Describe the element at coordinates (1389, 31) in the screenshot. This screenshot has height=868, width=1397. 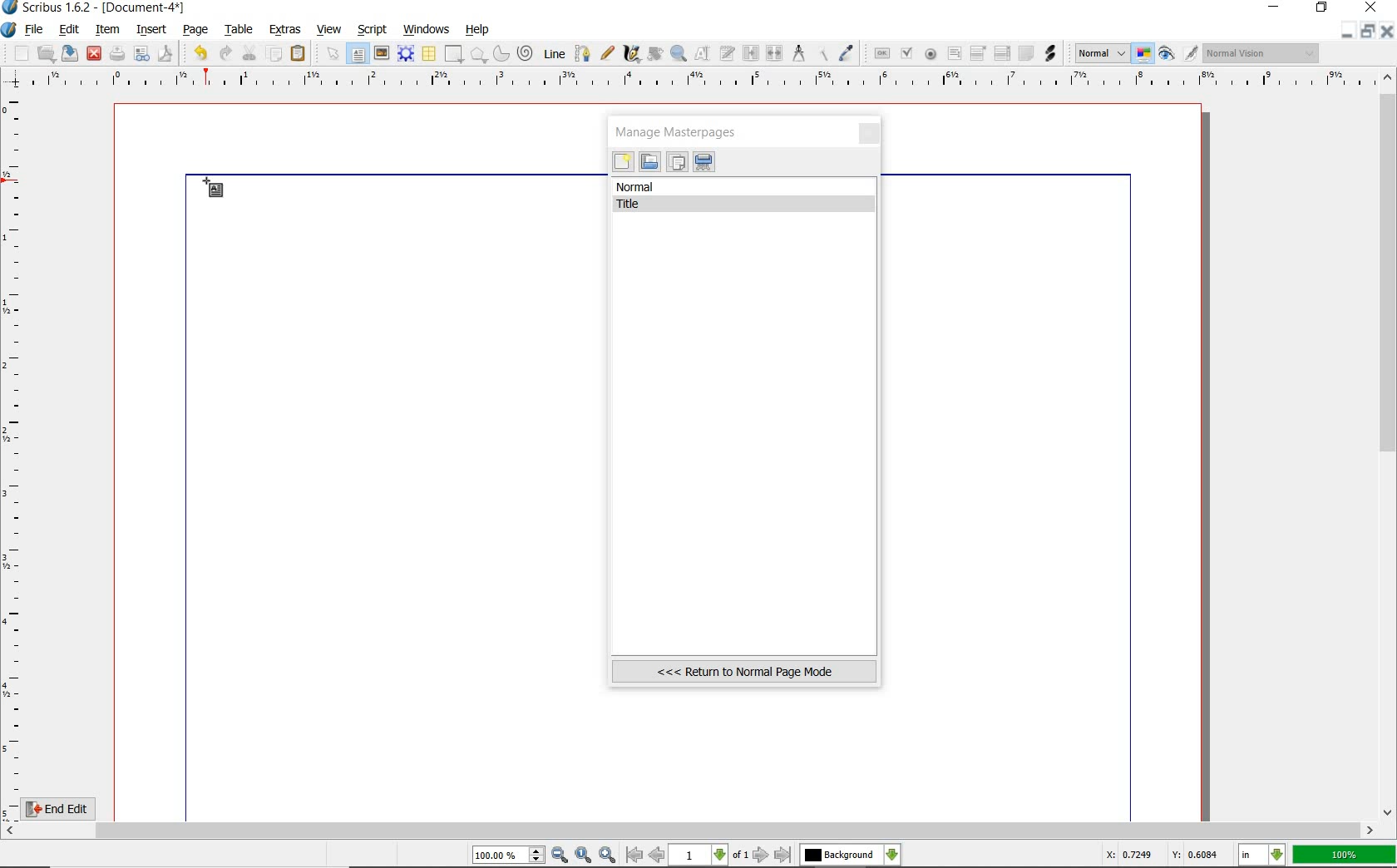
I see `close` at that location.